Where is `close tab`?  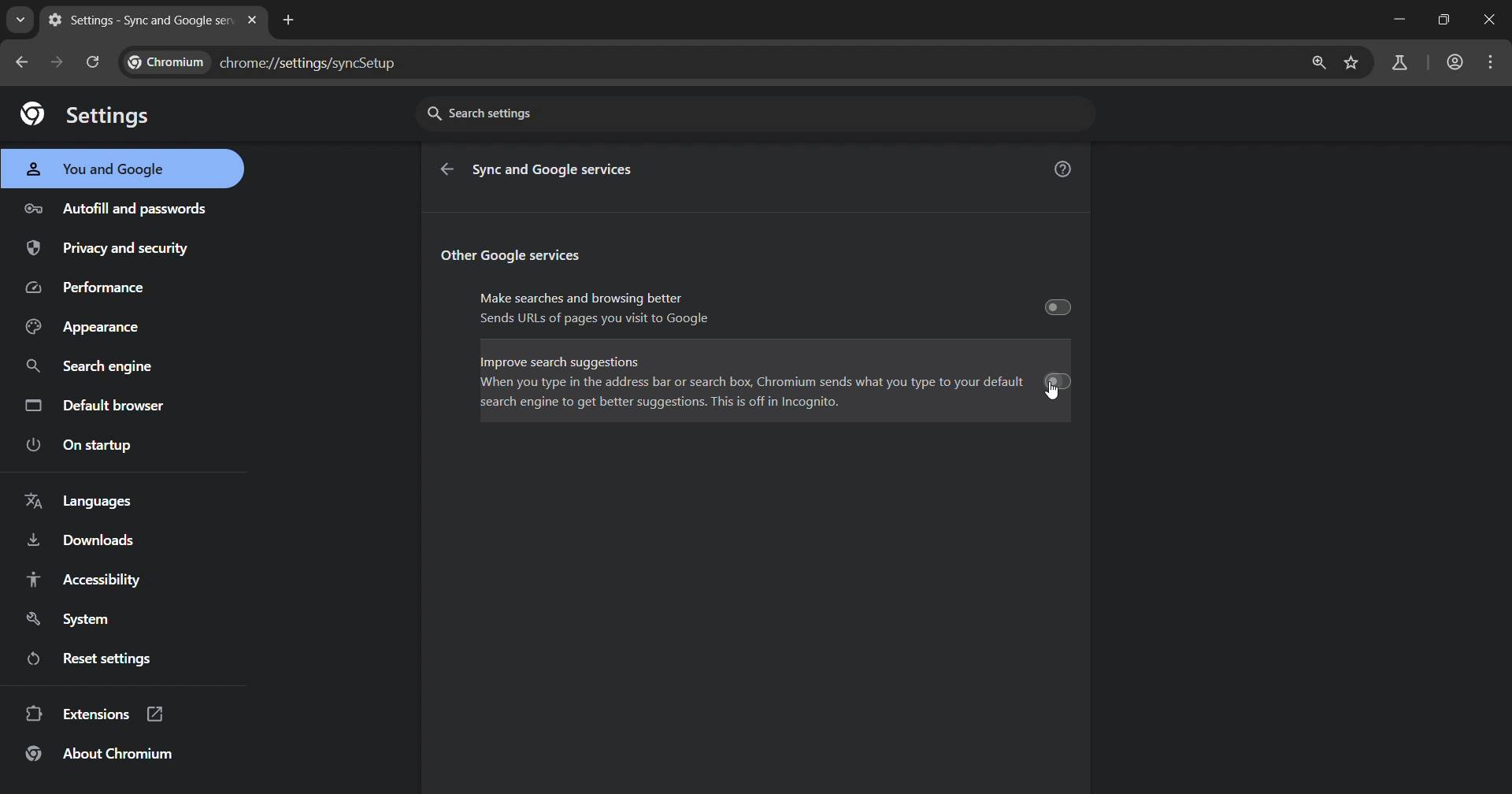 close tab is located at coordinates (252, 20).